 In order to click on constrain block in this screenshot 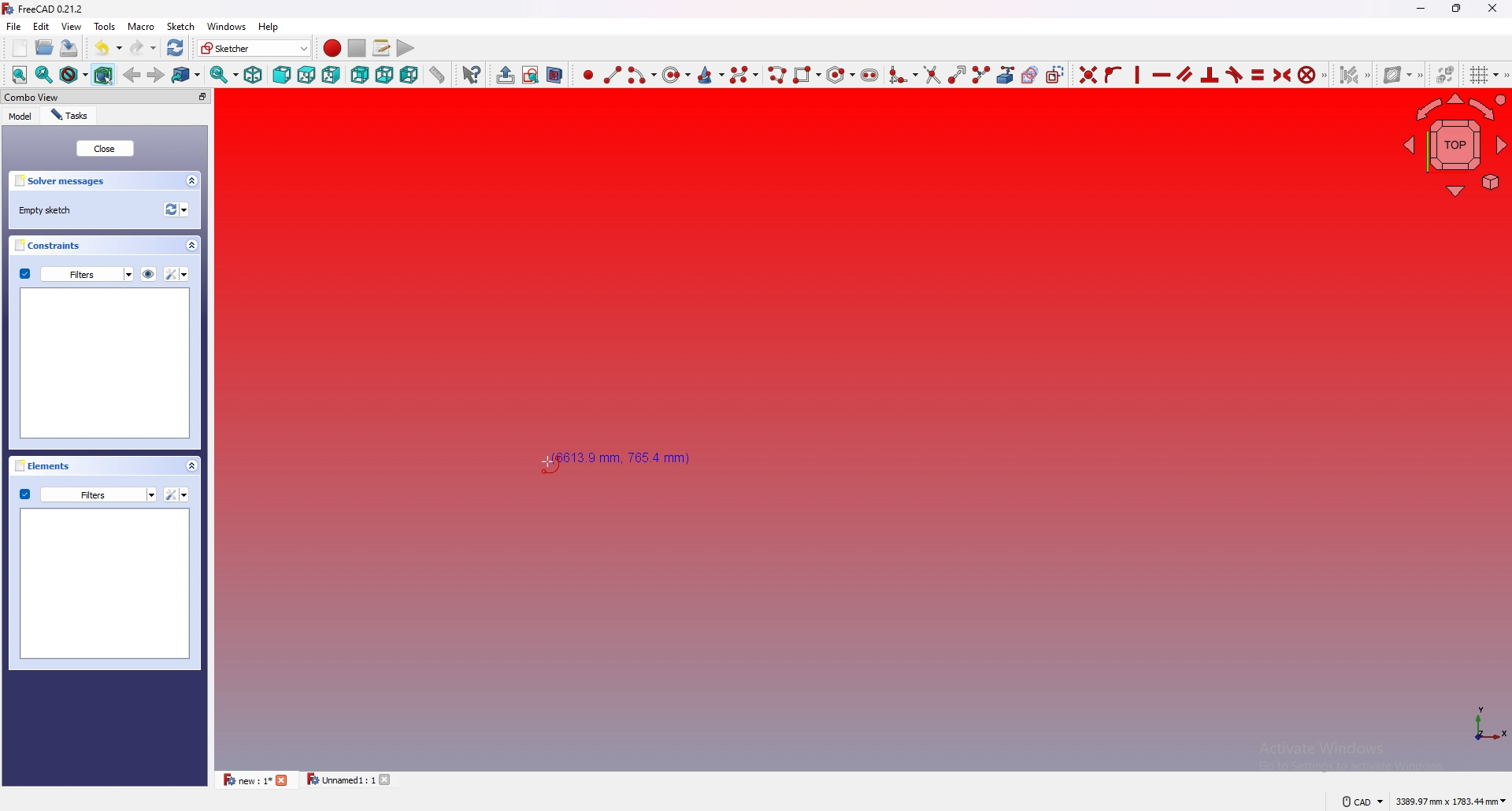, I will do `click(1314, 74)`.